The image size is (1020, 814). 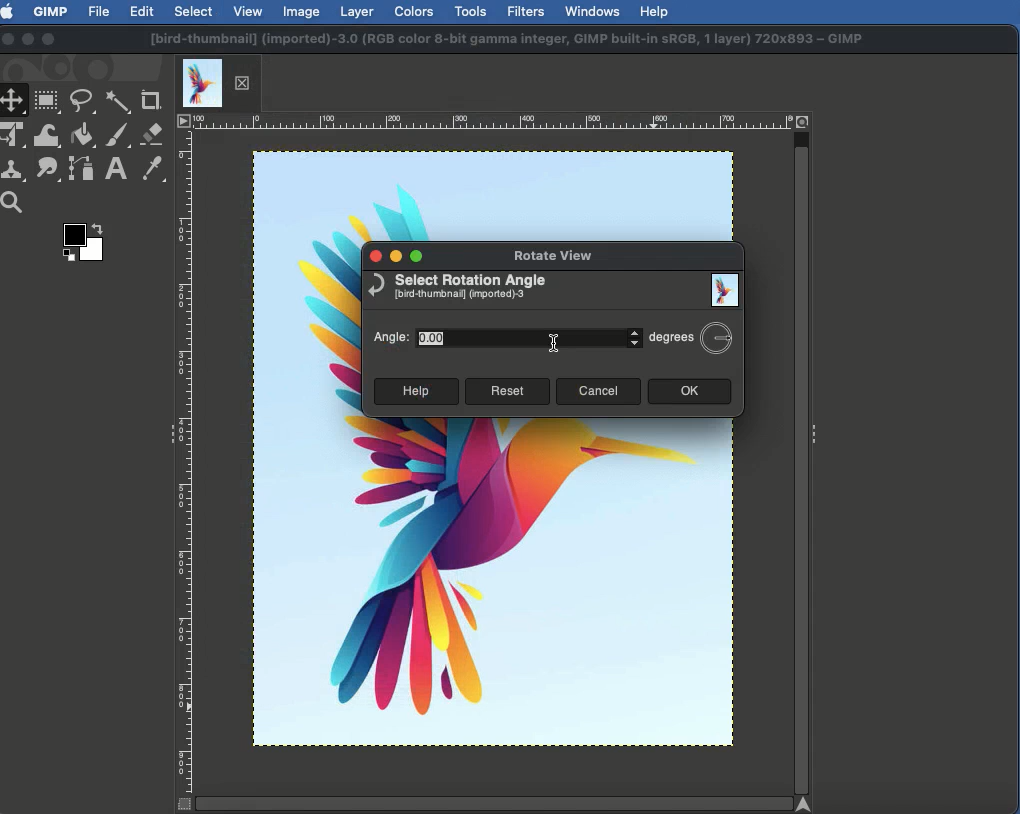 I want to click on Show sidebar menu, so click(x=817, y=430).